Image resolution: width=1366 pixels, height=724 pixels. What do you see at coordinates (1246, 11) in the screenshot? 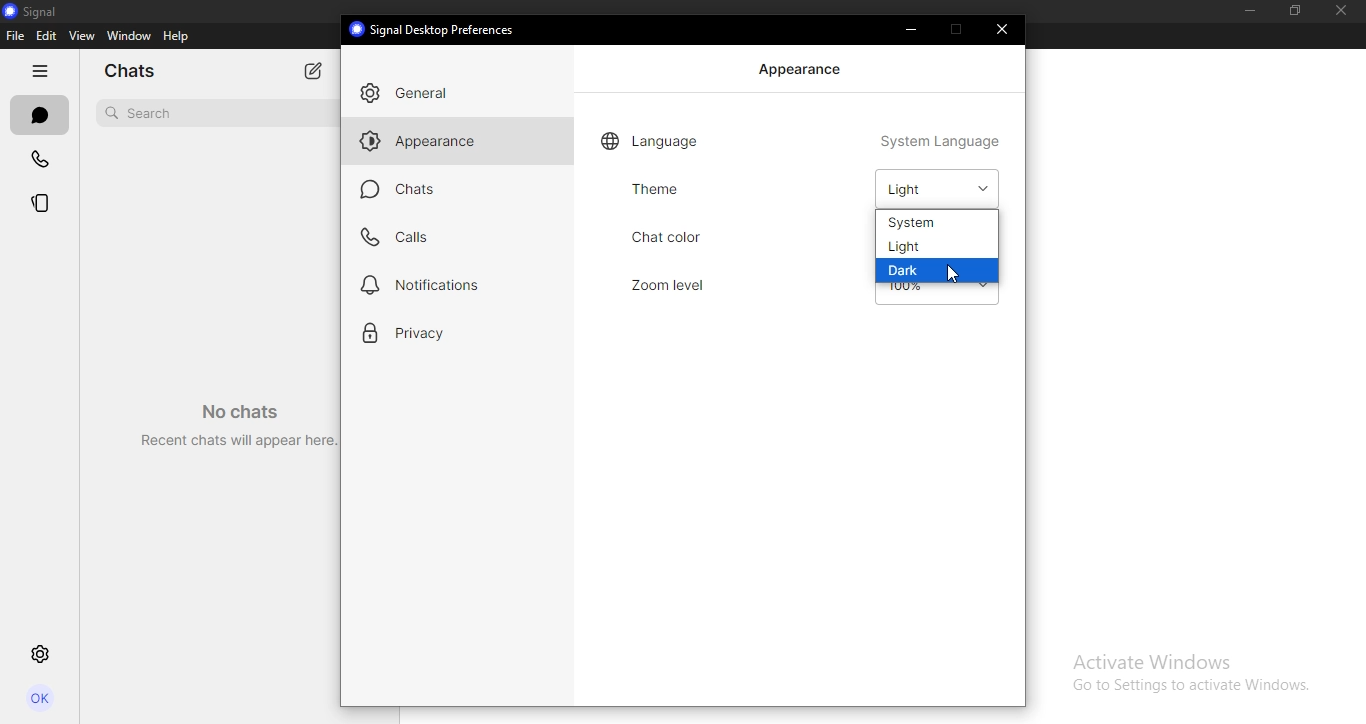
I see `minimize` at bounding box center [1246, 11].